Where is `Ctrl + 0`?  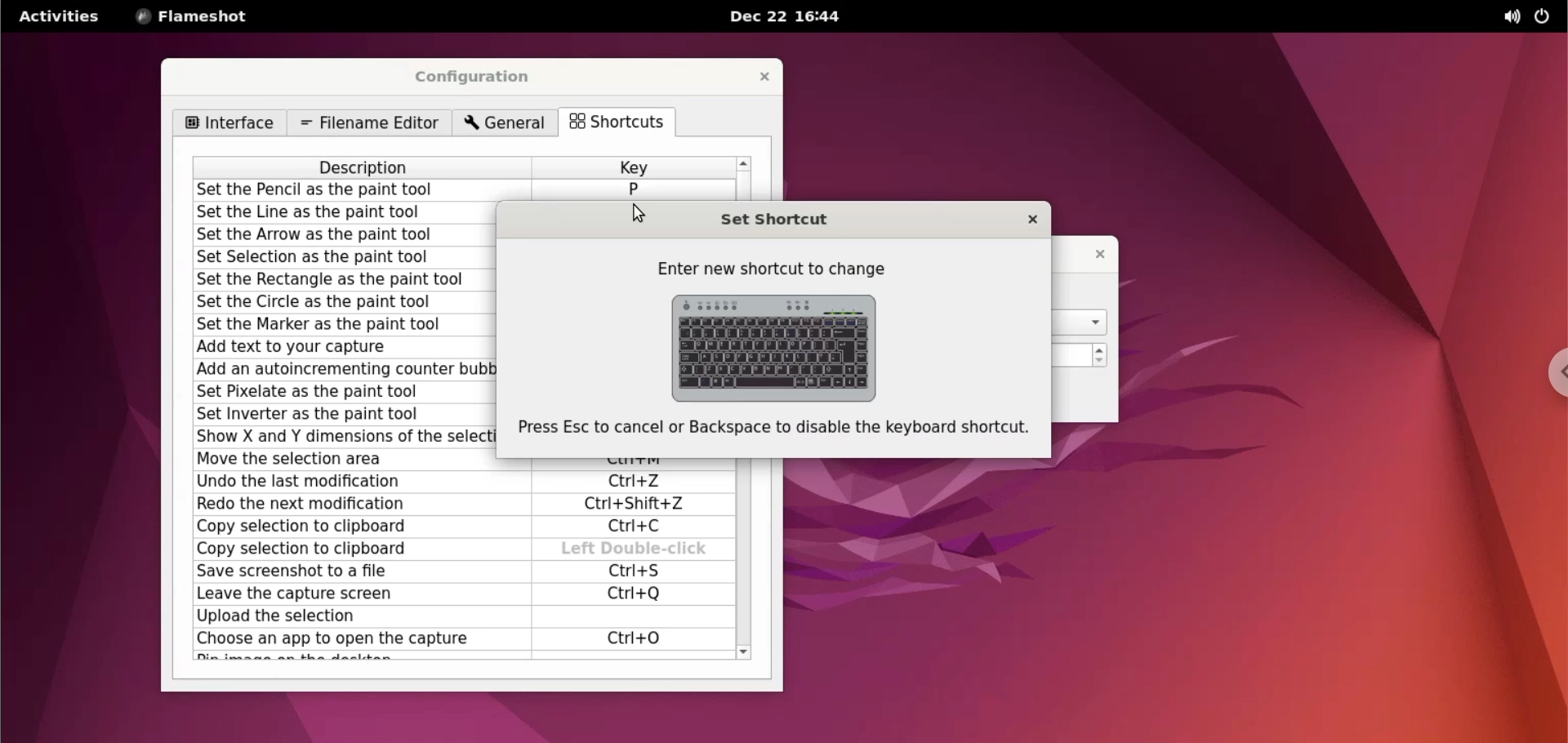
Ctrl + 0 is located at coordinates (635, 638).